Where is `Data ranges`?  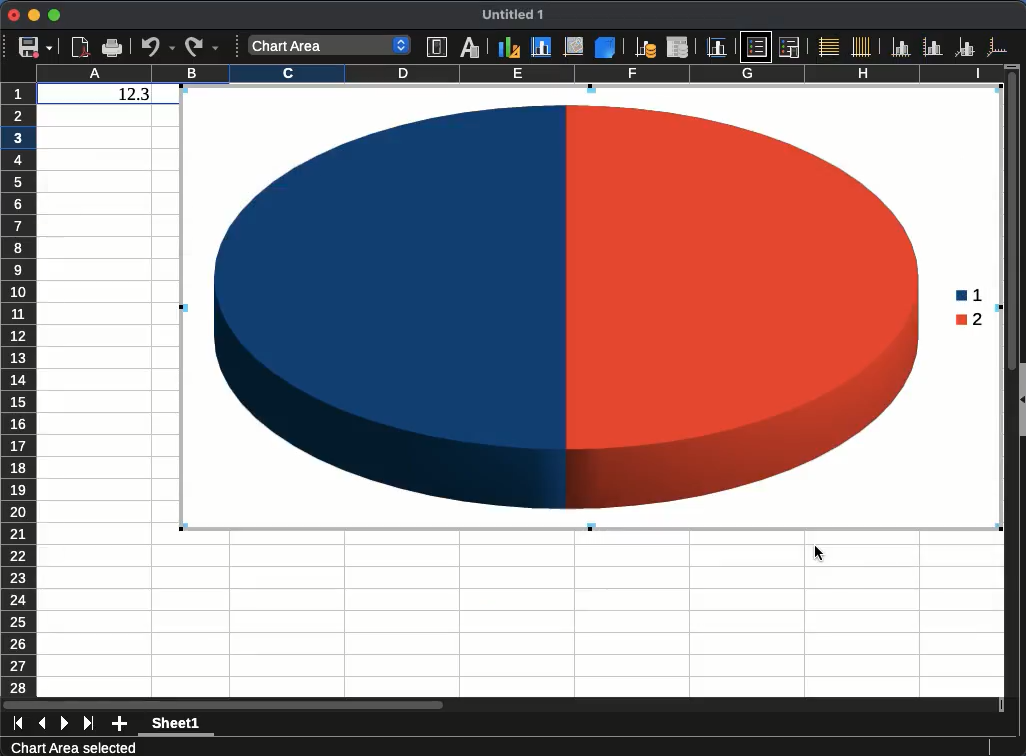
Data ranges is located at coordinates (645, 47).